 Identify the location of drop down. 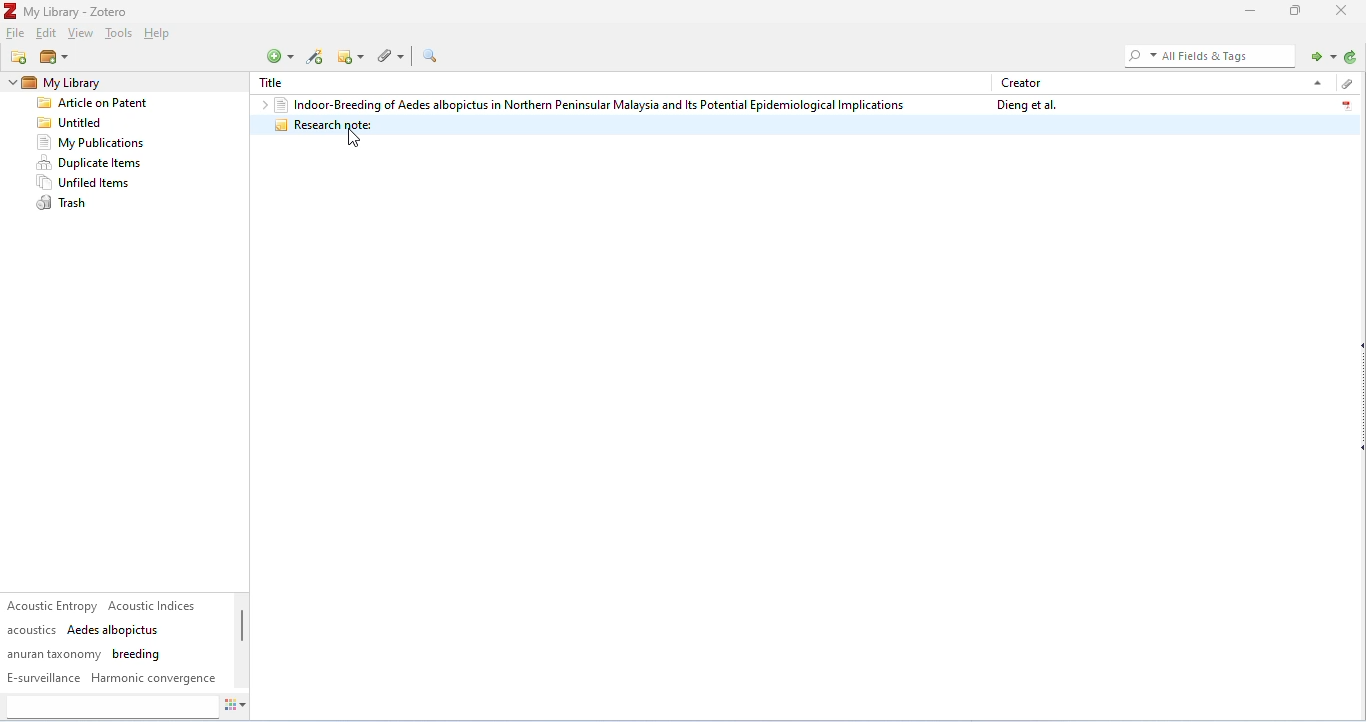
(1315, 82).